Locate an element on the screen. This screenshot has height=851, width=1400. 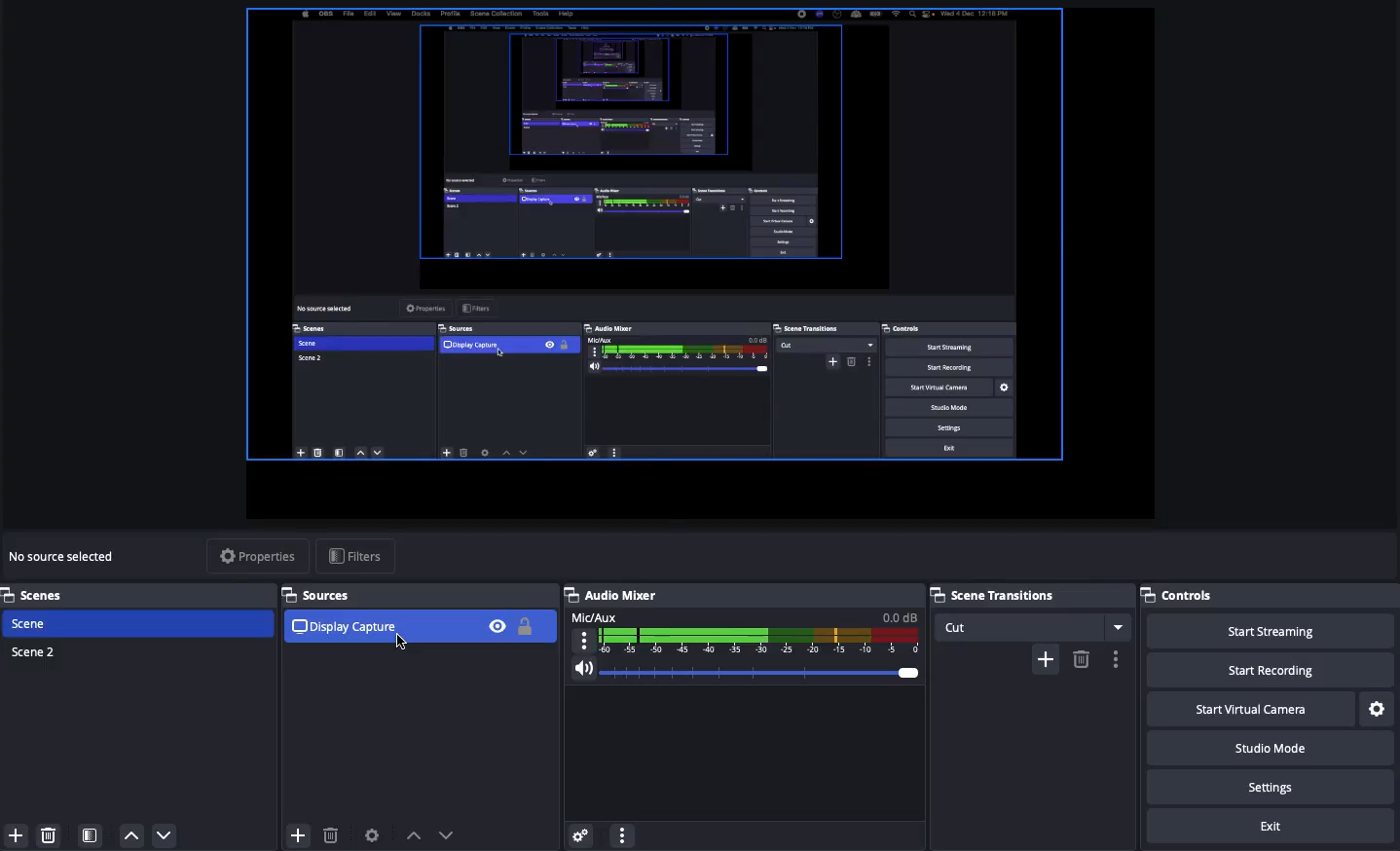
Sources is located at coordinates (318, 593).